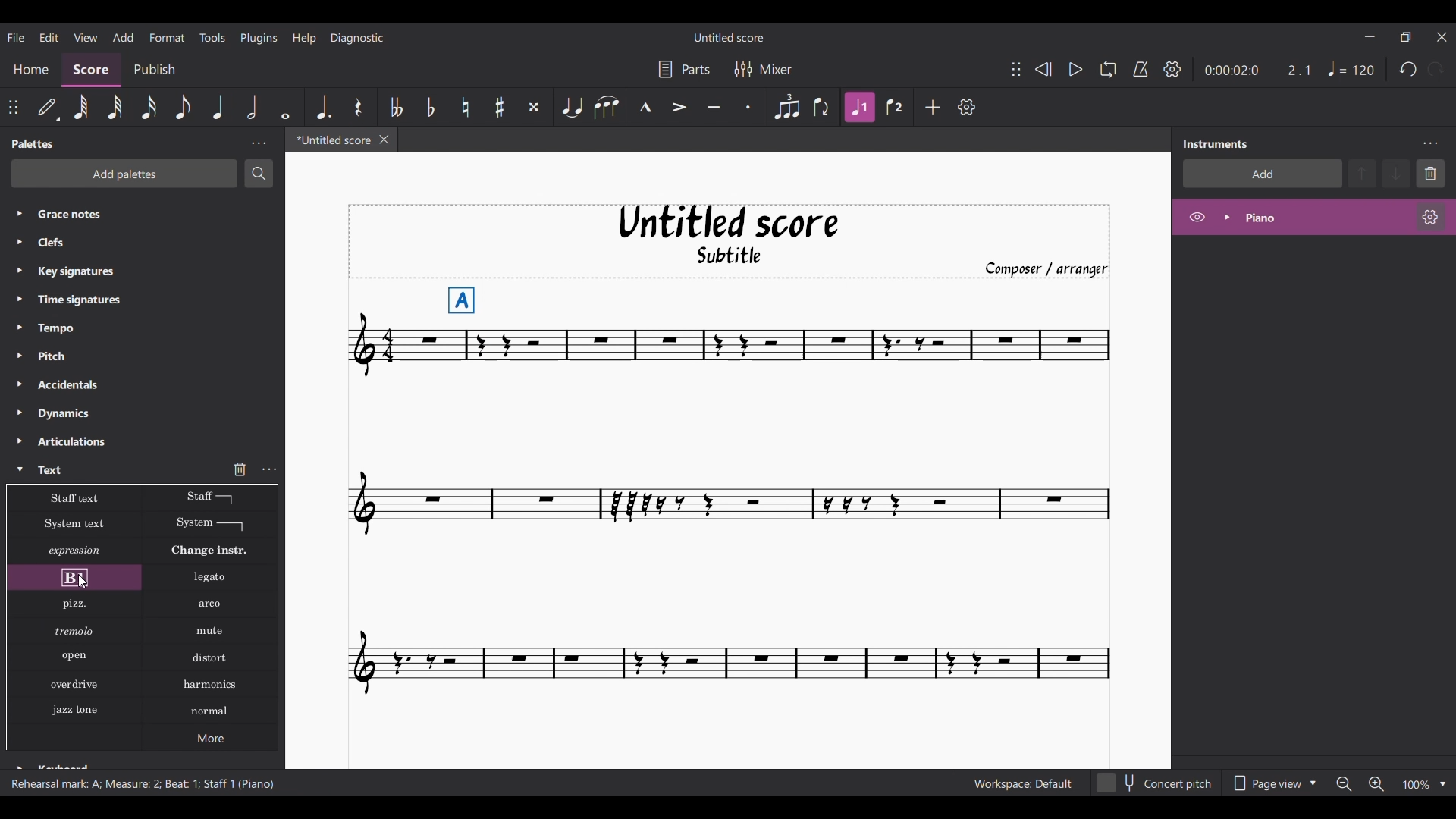 This screenshot has height=819, width=1456. I want to click on Voice 2, so click(894, 107).